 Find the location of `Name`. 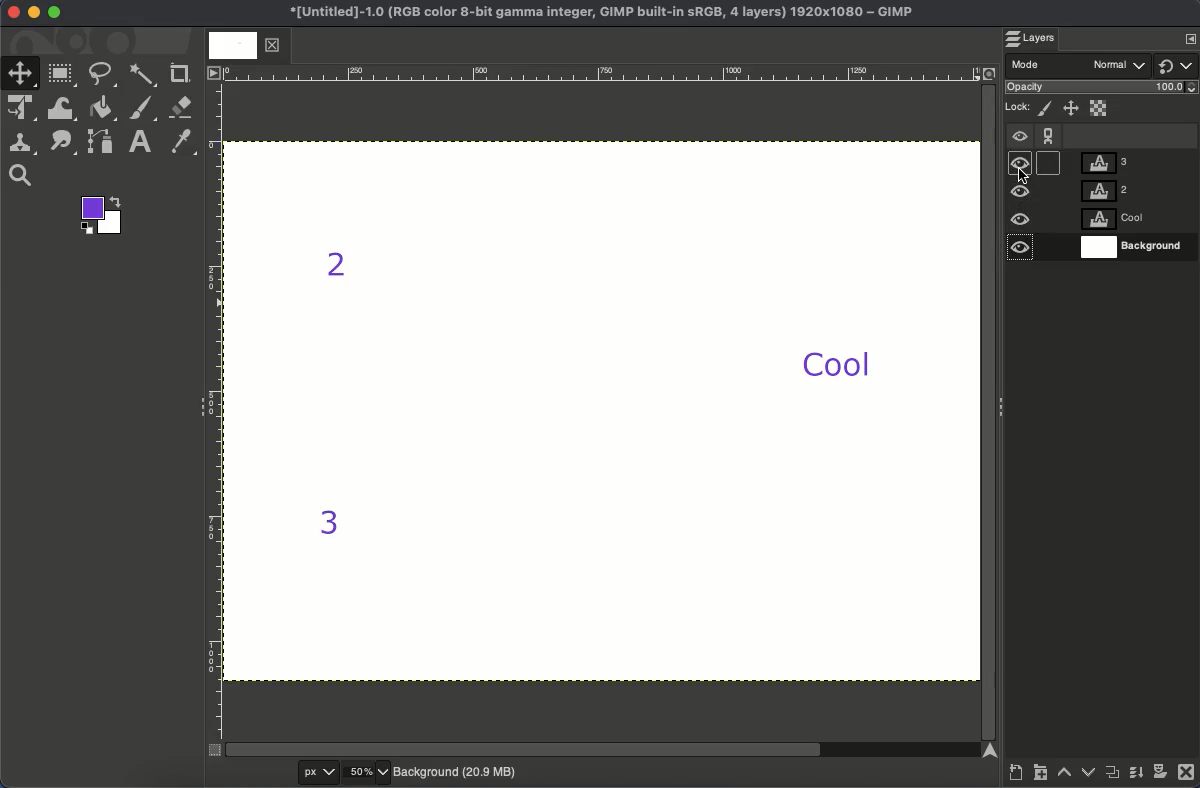

Name is located at coordinates (597, 14).